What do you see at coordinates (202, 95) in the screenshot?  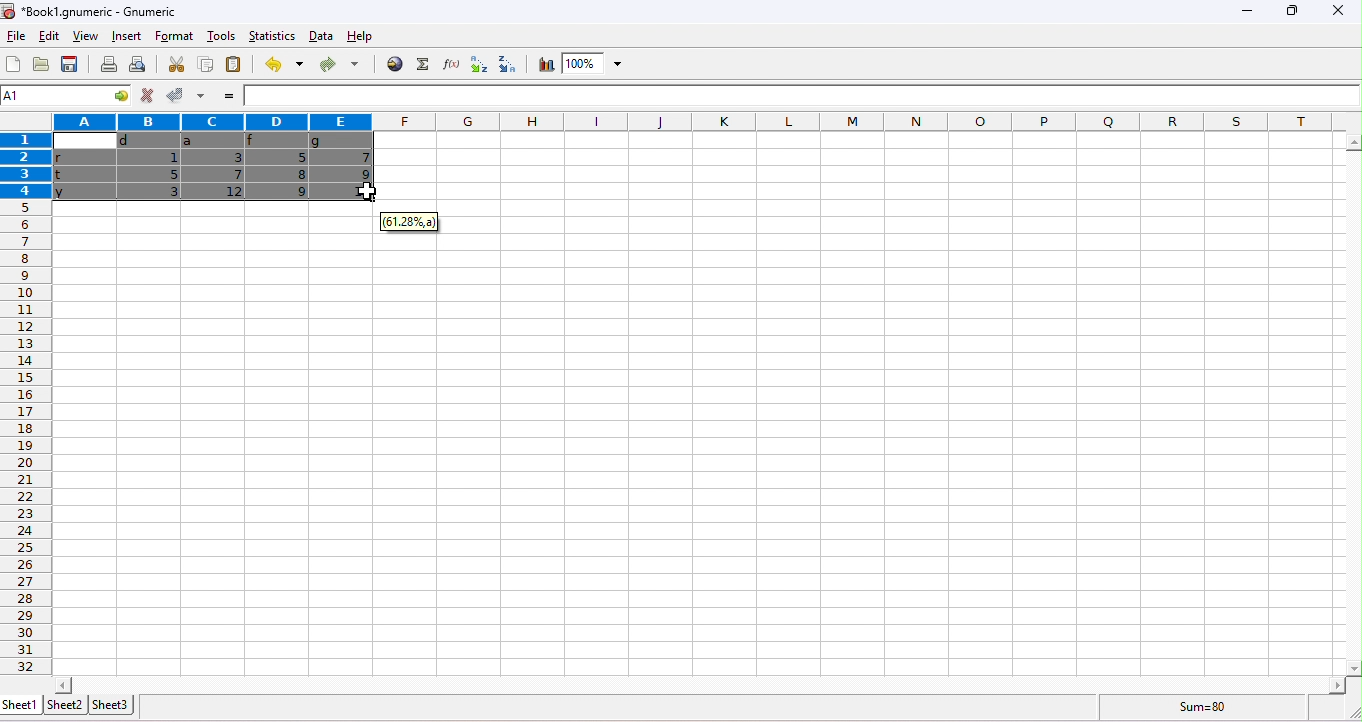 I see `accept multiple changes` at bounding box center [202, 95].